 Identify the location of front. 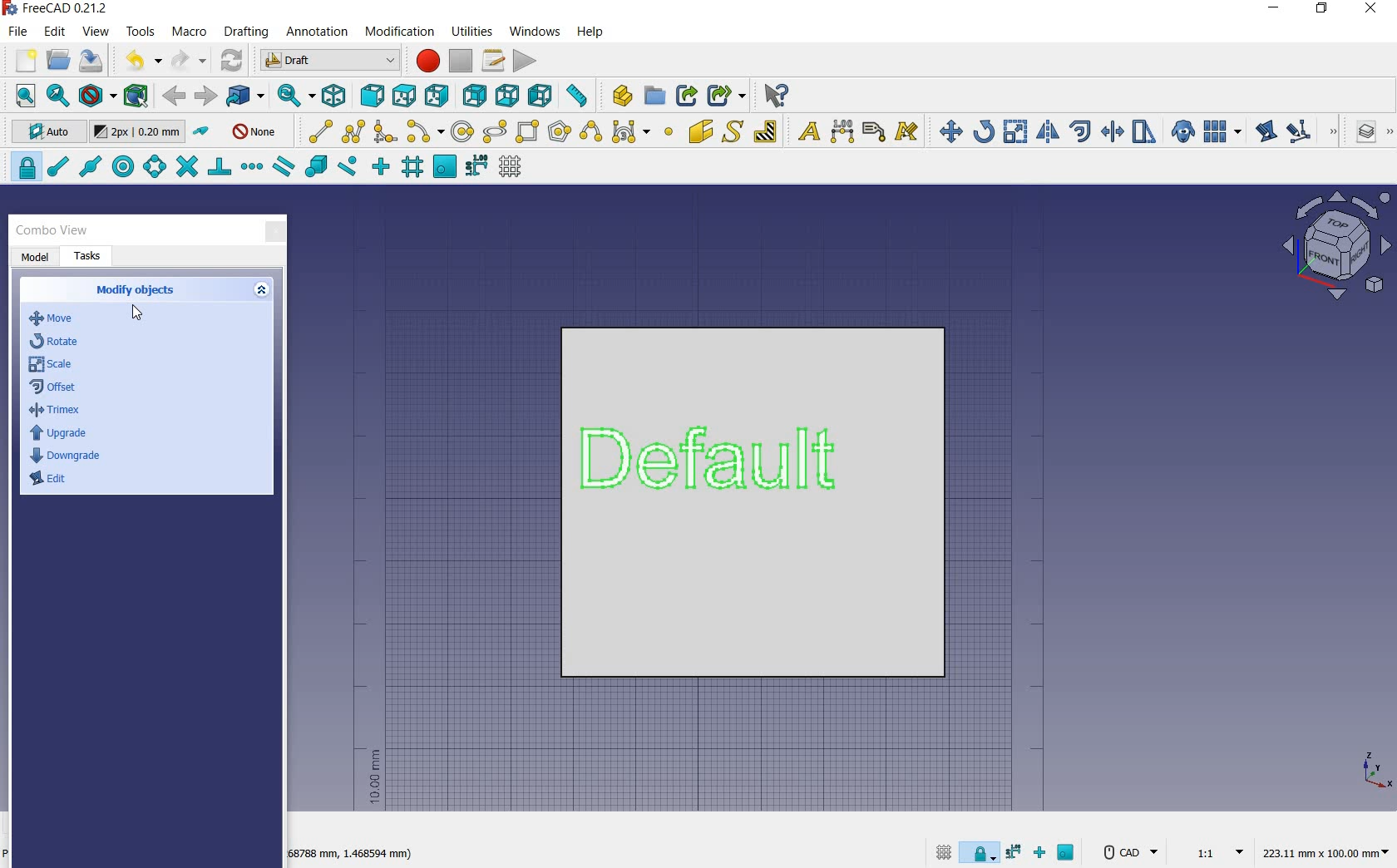
(369, 96).